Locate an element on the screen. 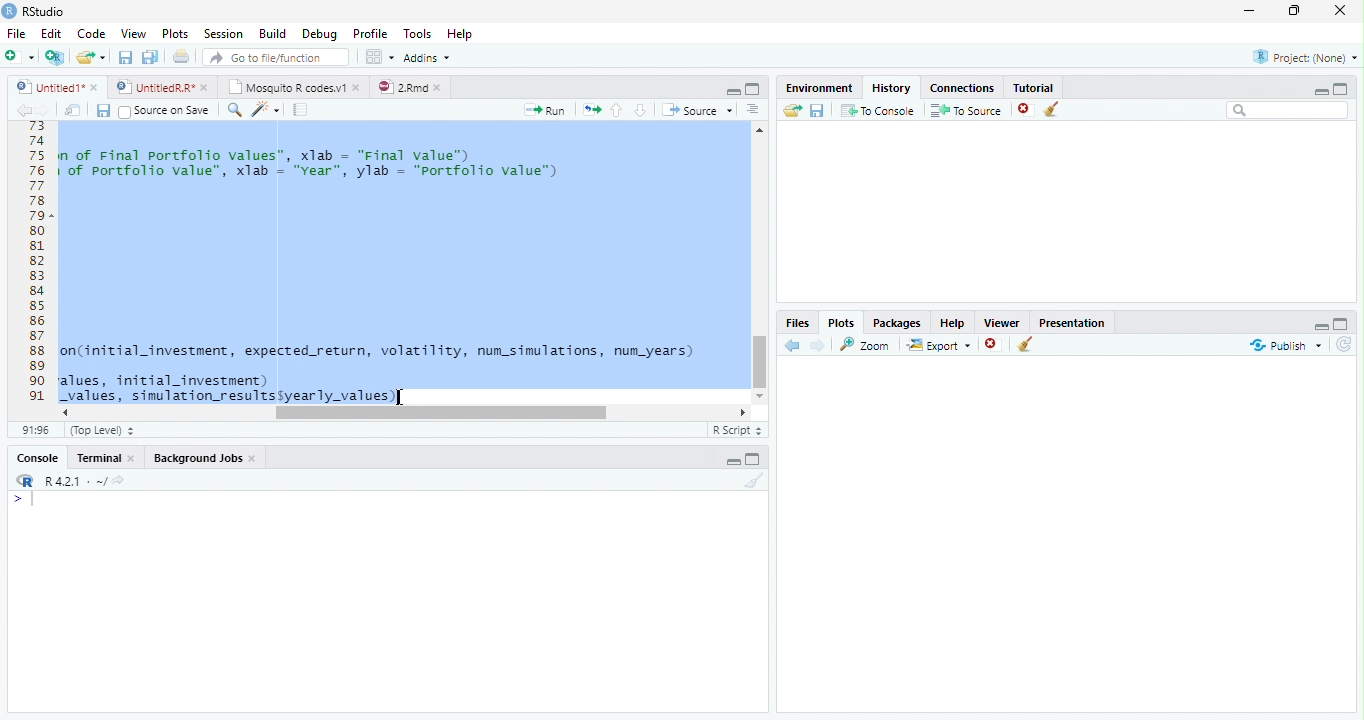 Image resolution: width=1364 pixels, height=720 pixels. previous source location is located at coordinates (23, 110).